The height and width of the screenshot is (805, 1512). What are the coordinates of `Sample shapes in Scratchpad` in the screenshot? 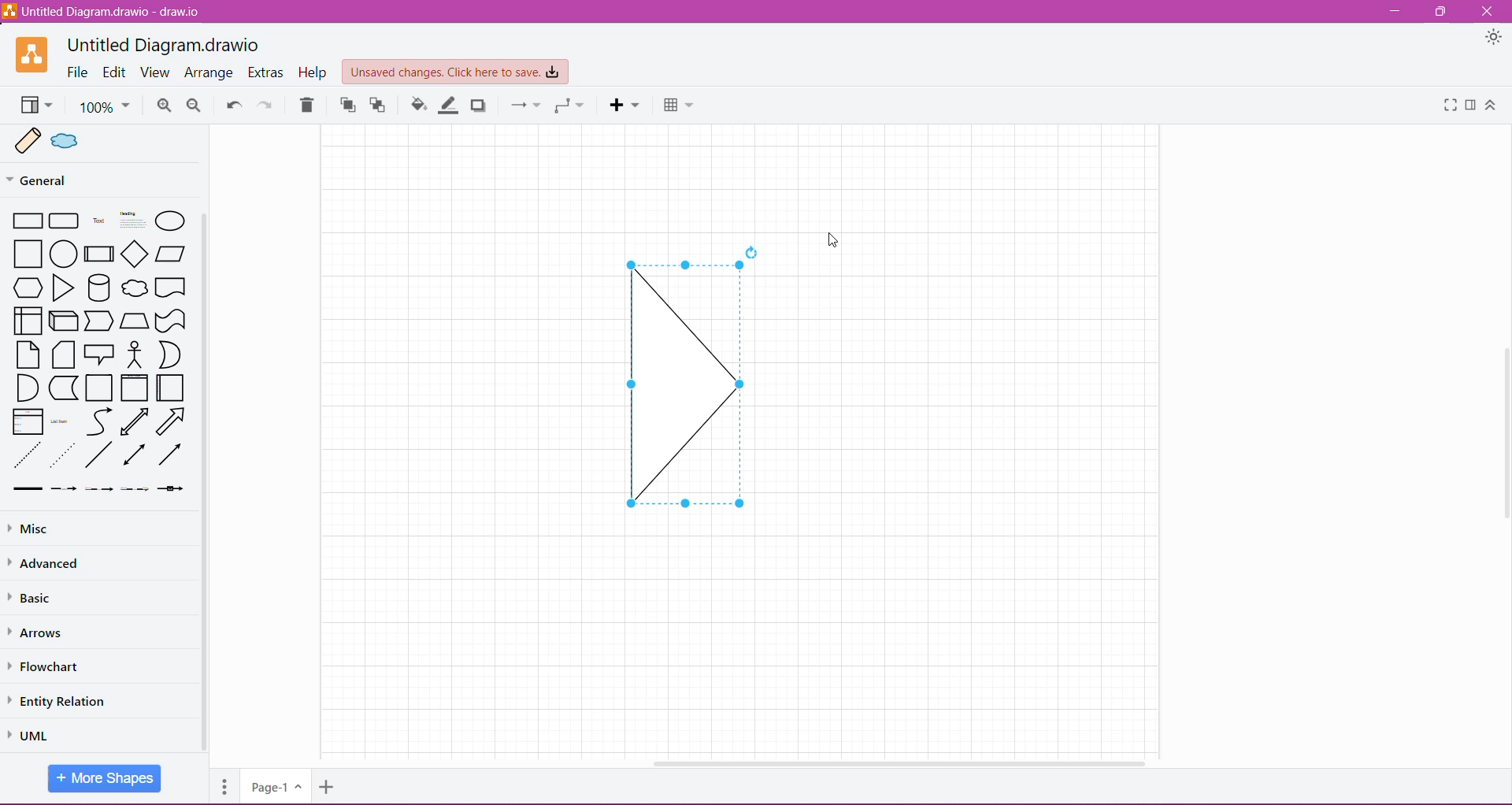 It's located at (106, 142).